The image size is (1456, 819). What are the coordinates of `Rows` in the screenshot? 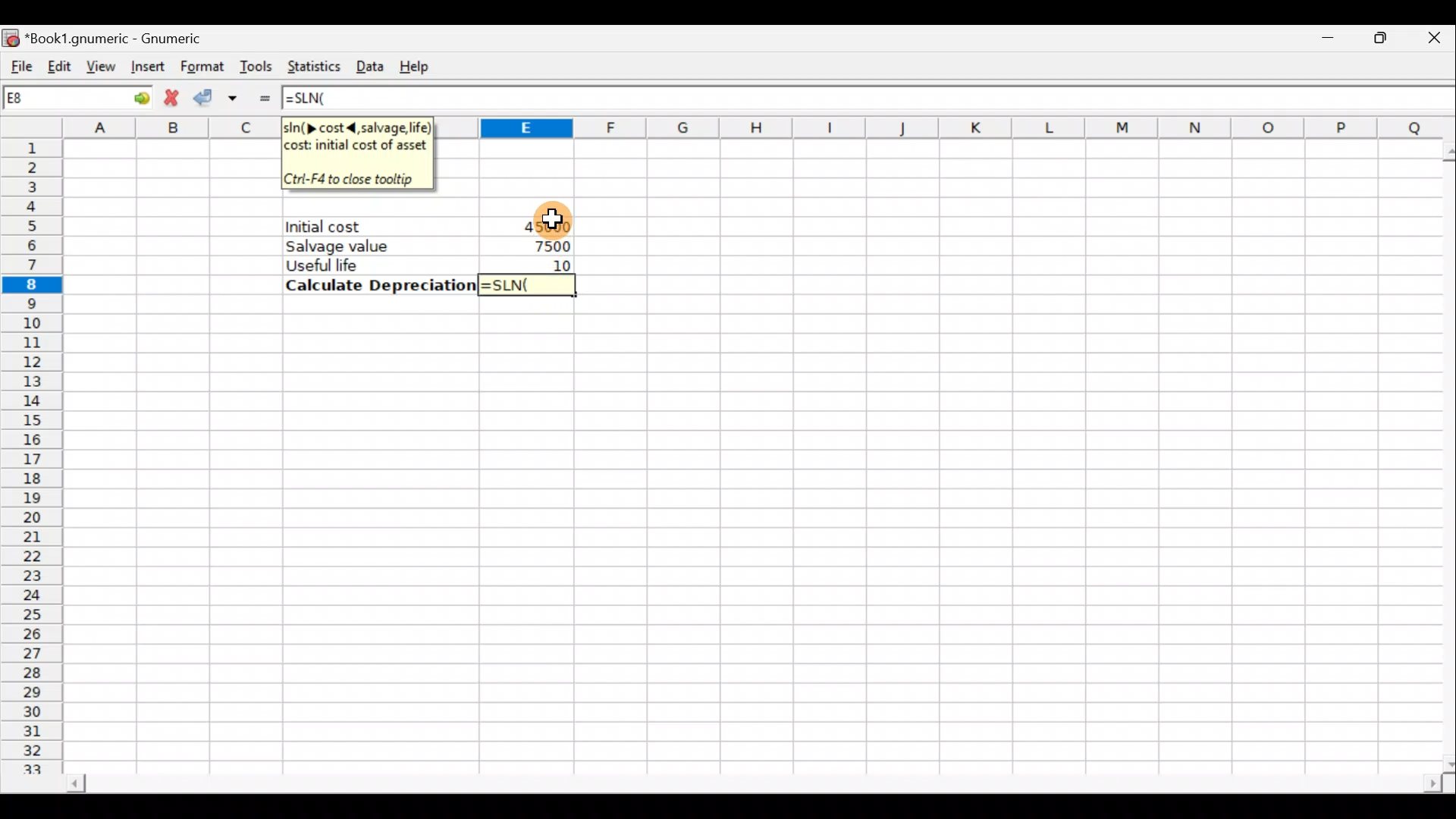 It's located at (36, 458).